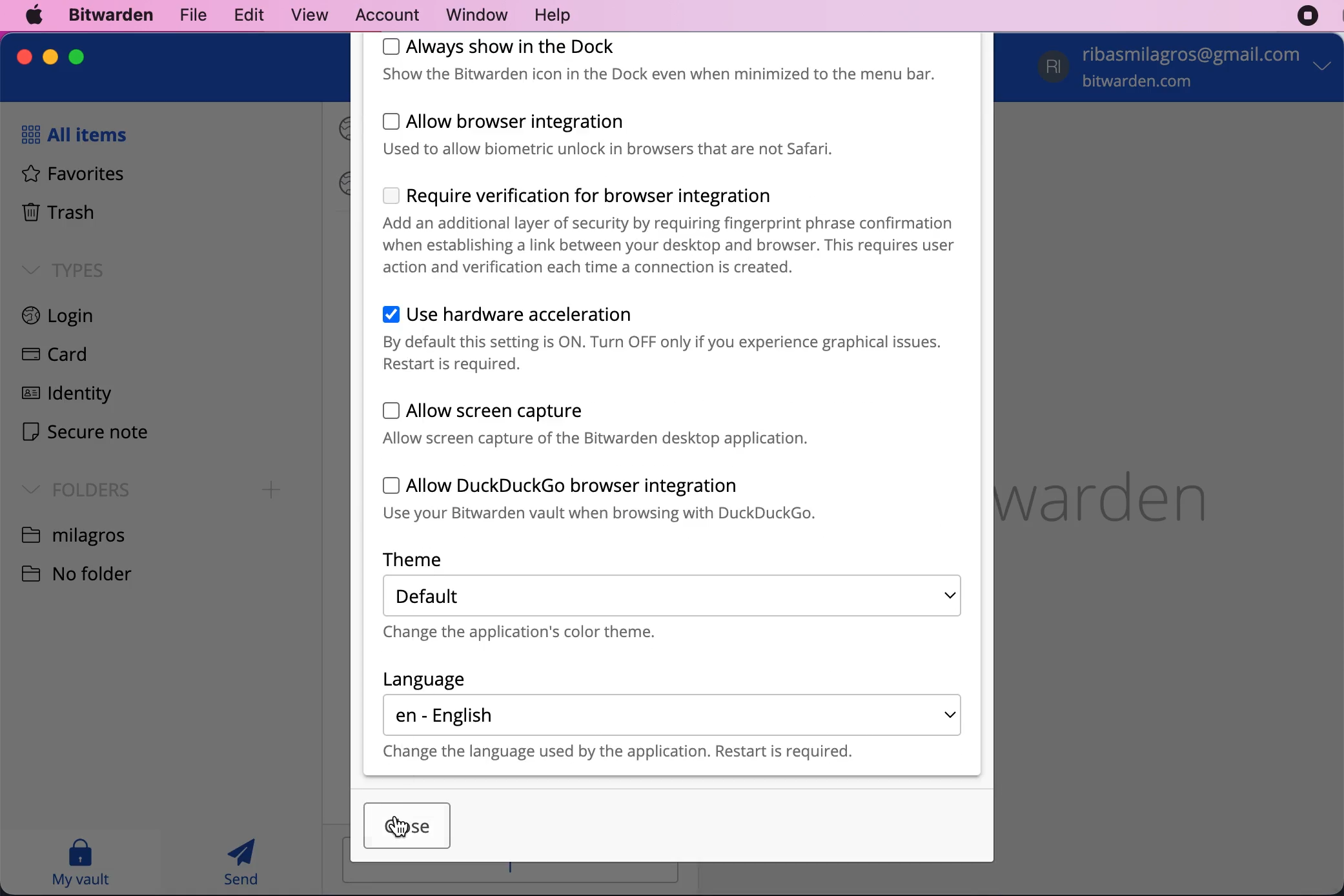 The width and height of the screenshot is (1344, 896). Describe the element at coordinates (635, 132) in the screenshot. I see `allow browser integration` at that location.